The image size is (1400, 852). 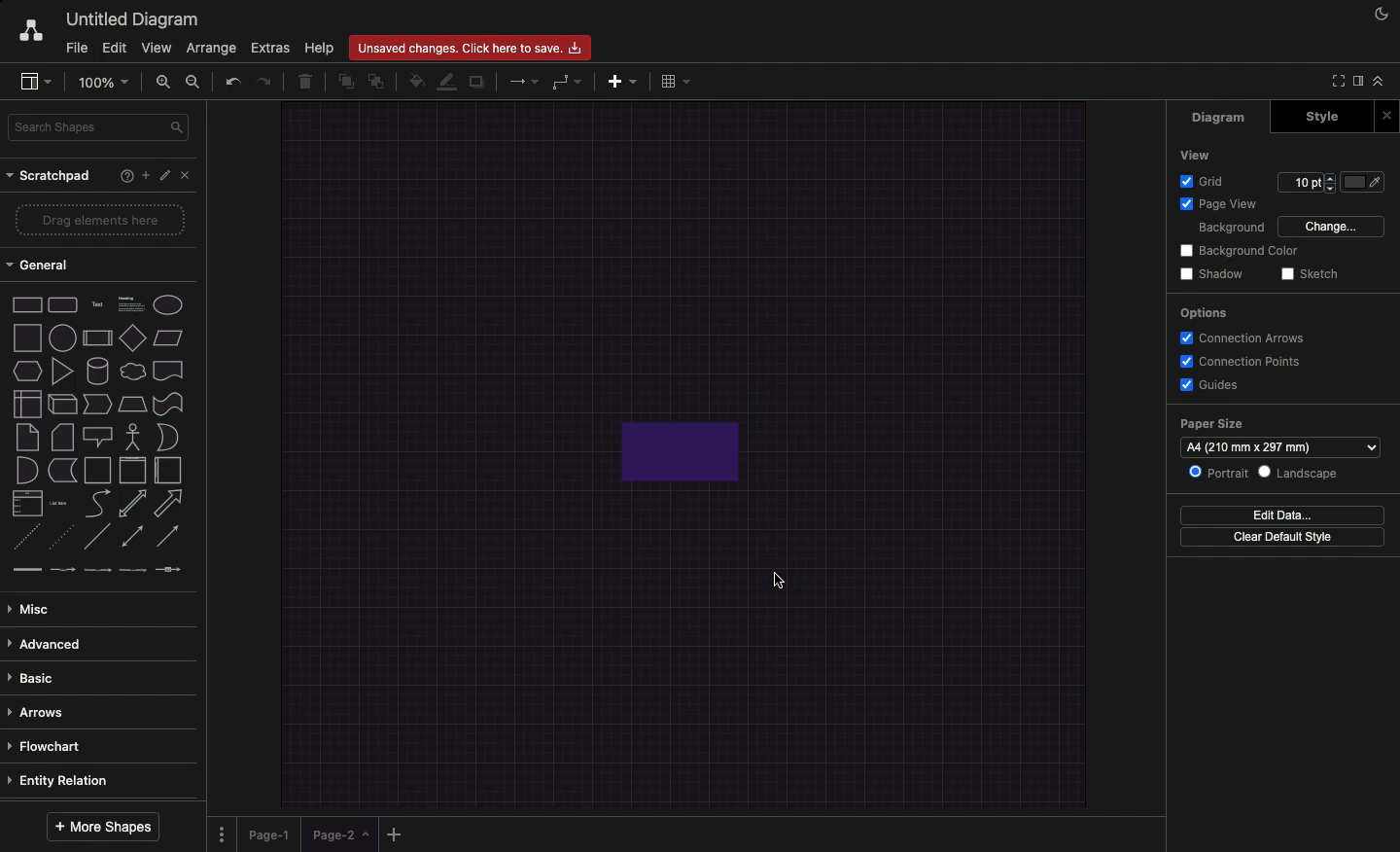 I want to click on Collapse, so click(x=1379, y=80).